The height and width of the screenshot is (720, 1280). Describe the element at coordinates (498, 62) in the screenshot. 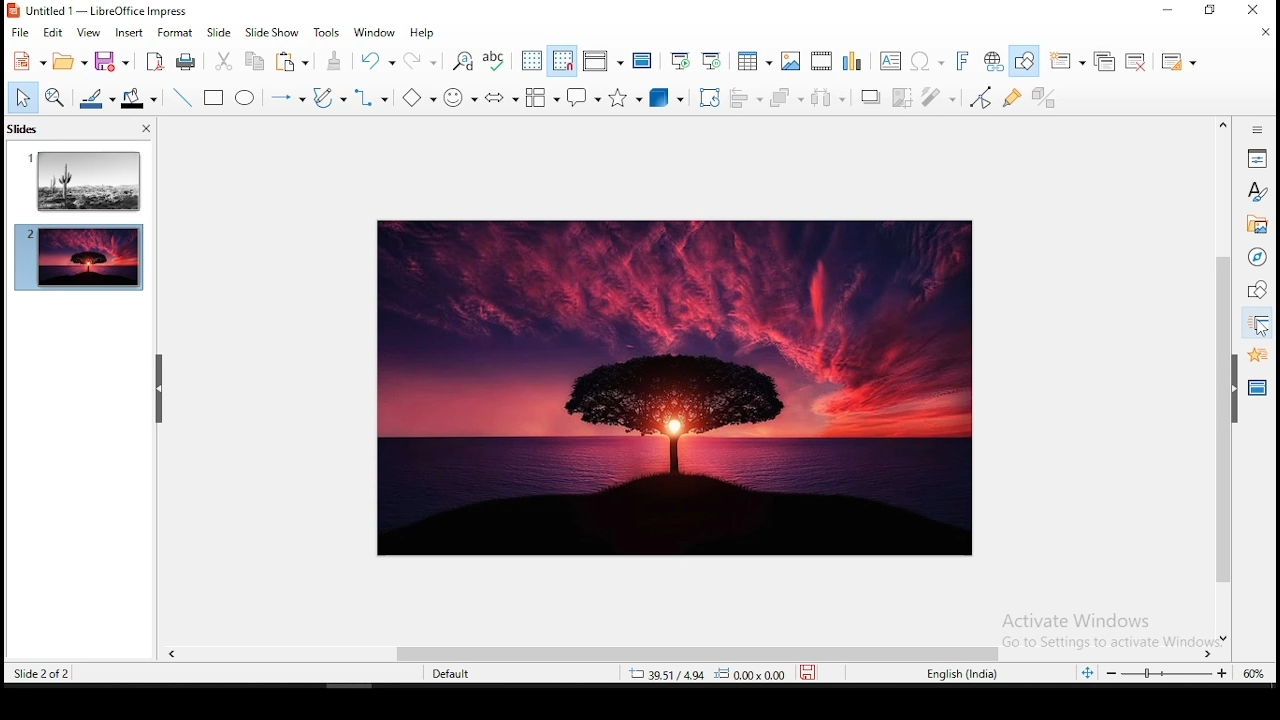

I see `spell check` at that location.